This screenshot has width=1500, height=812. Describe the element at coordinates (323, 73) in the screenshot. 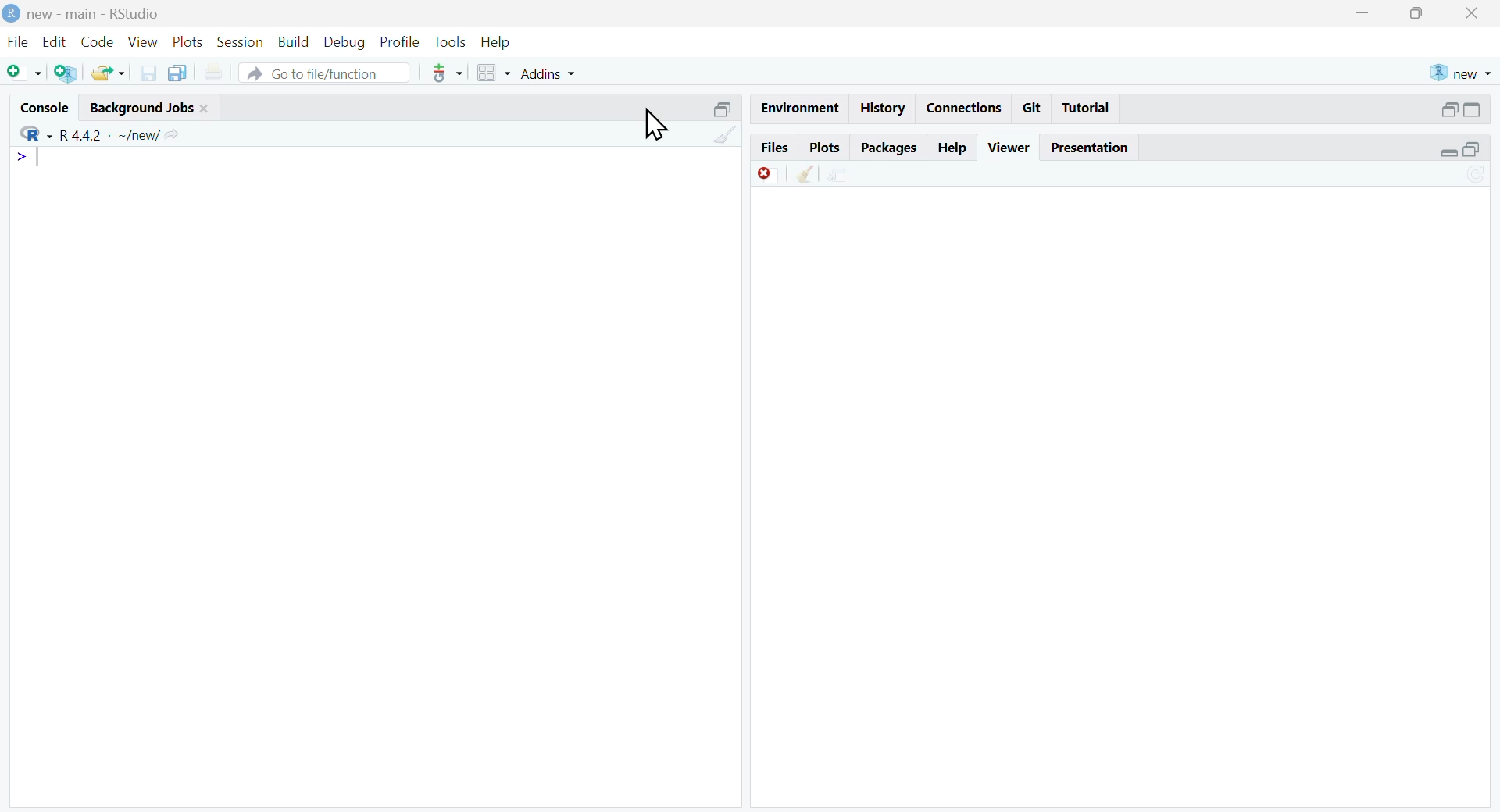

I see `go to file/function` at that location.